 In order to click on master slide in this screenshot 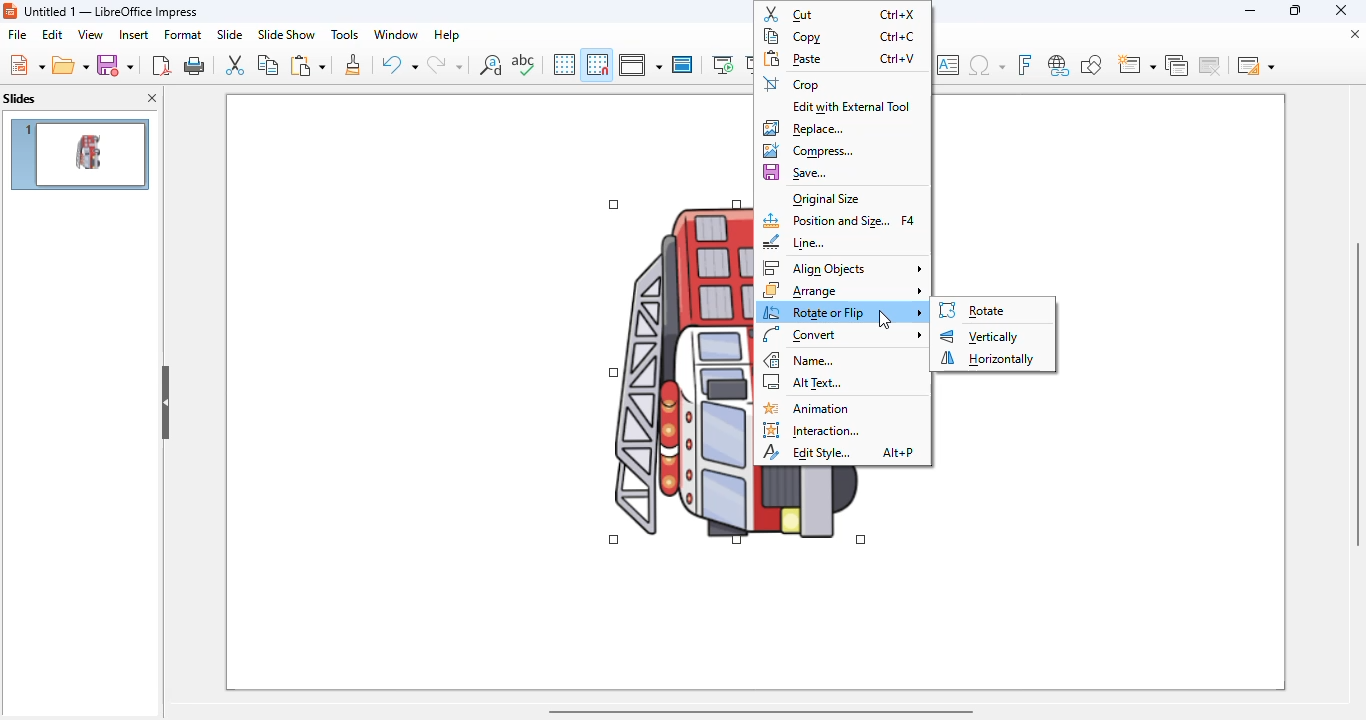, I will do `click(683, 64)`.